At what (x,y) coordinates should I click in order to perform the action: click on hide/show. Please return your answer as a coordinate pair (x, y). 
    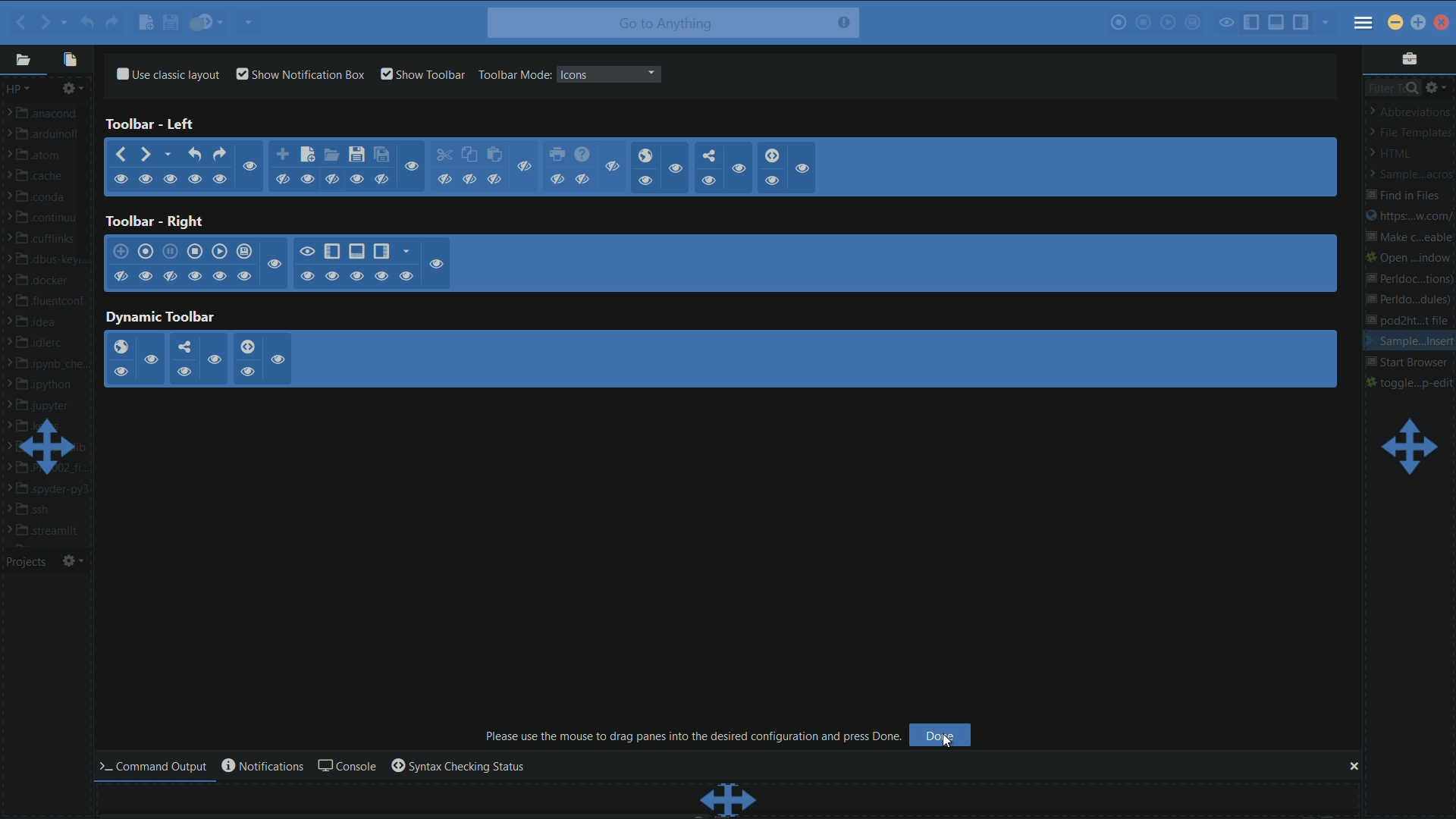
    Looking at the image, I should click on (214, 359).